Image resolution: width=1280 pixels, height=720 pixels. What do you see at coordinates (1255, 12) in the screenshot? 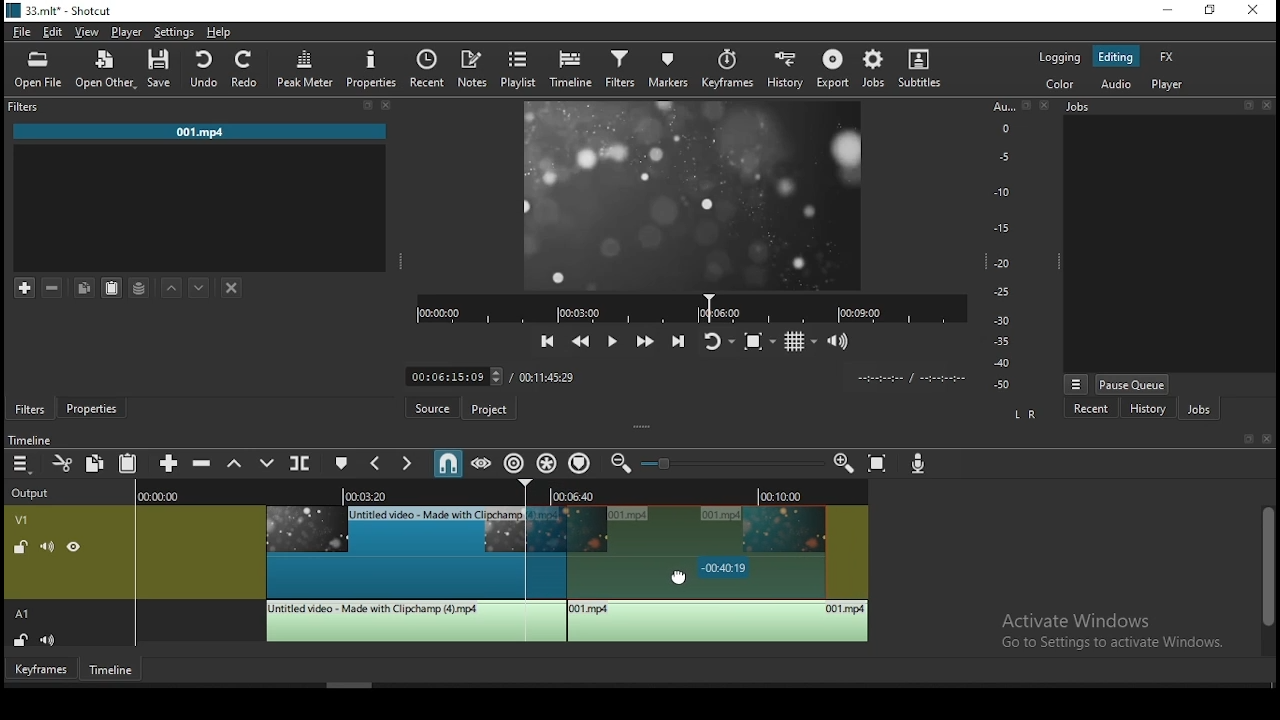
I see `close window` at bounding box center [1255, 12].